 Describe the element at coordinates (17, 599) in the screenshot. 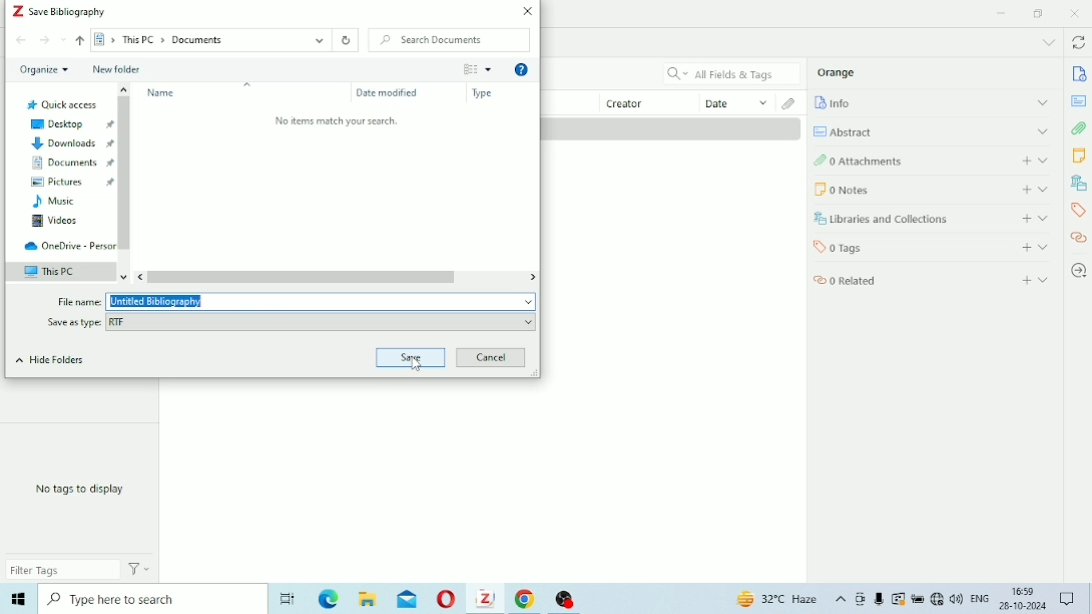

I see `Microsoft Edge` at that location.